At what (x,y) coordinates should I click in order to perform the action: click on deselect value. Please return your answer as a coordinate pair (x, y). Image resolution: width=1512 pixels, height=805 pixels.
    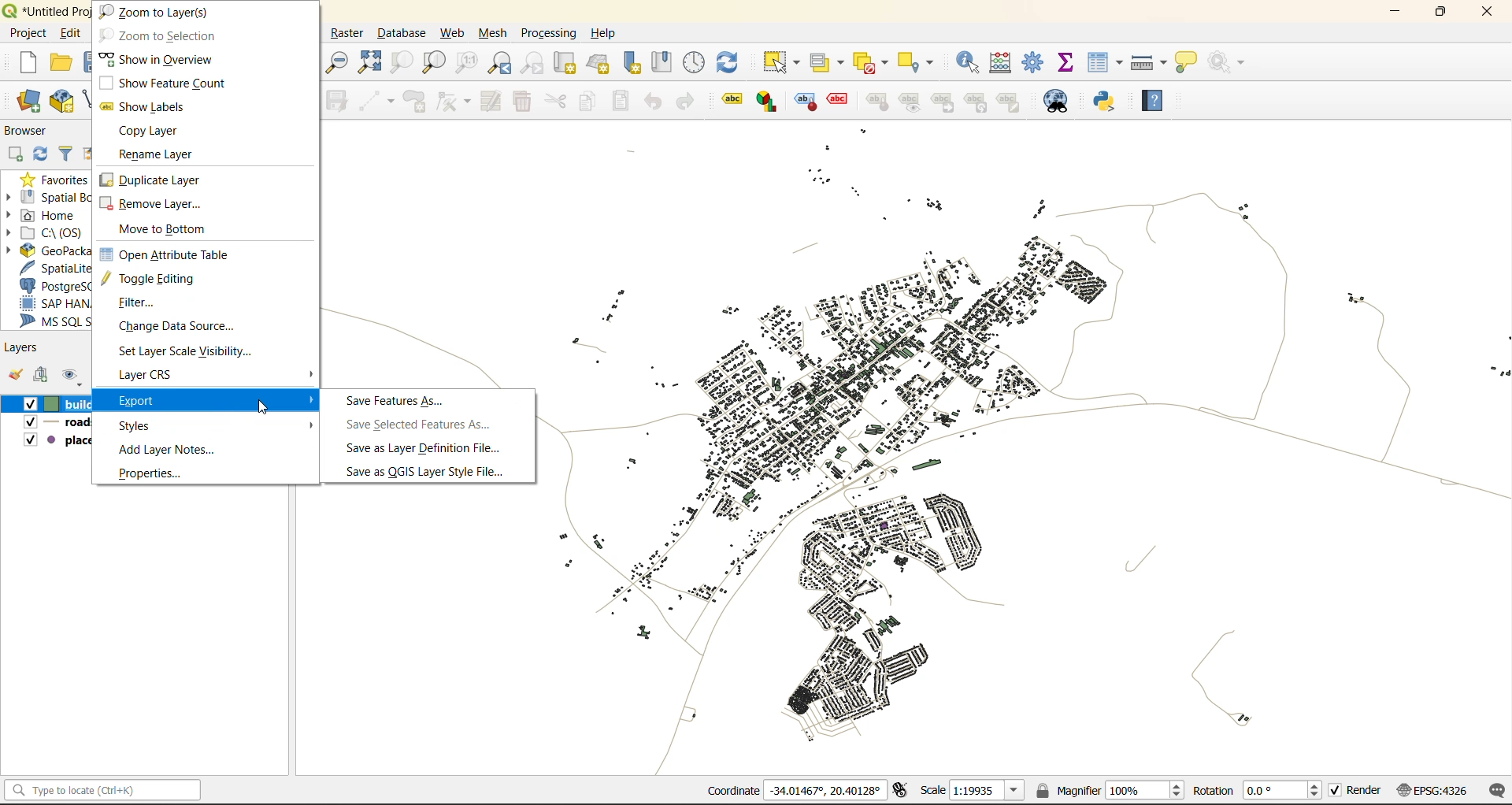
    Looking at the image, I should click on (874, 63).